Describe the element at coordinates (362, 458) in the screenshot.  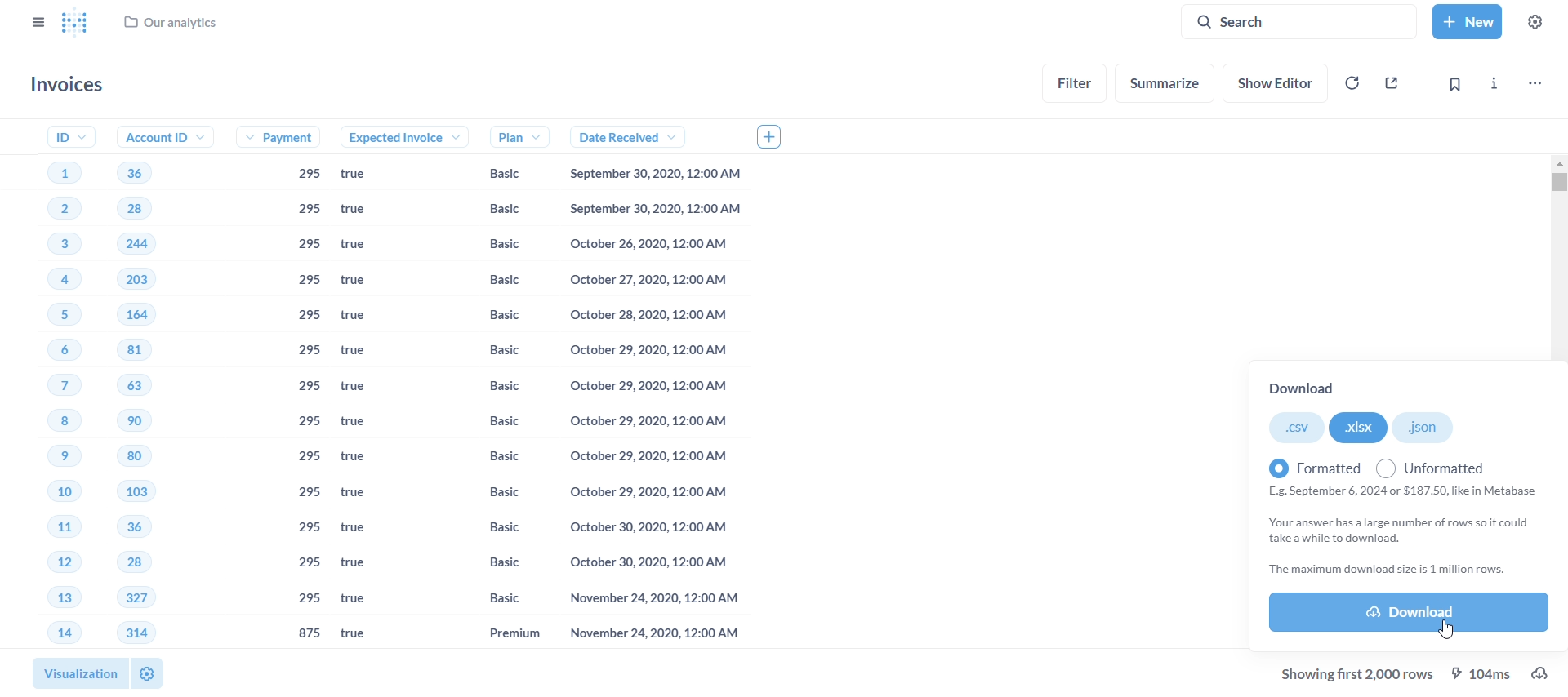
I see `true` at that location.